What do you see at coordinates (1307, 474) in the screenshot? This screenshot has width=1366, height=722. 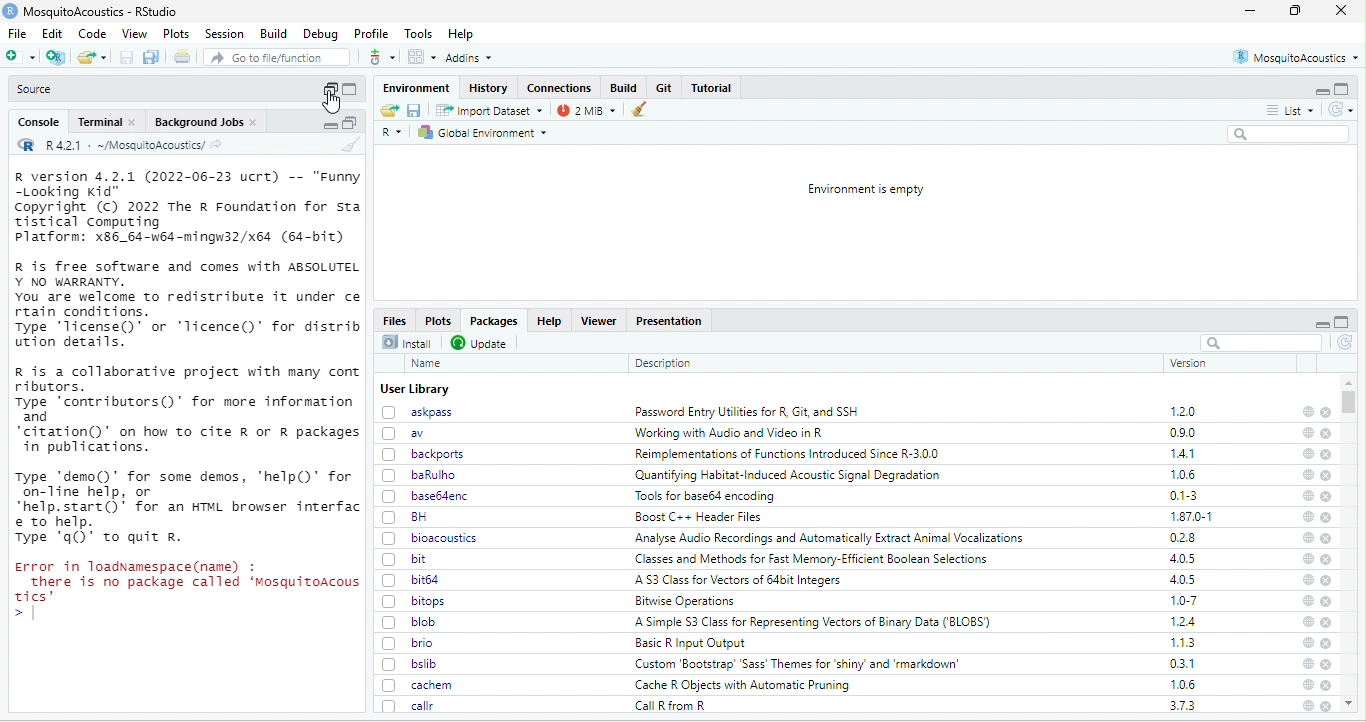 I see `help` at bounding box center [1307, 474].